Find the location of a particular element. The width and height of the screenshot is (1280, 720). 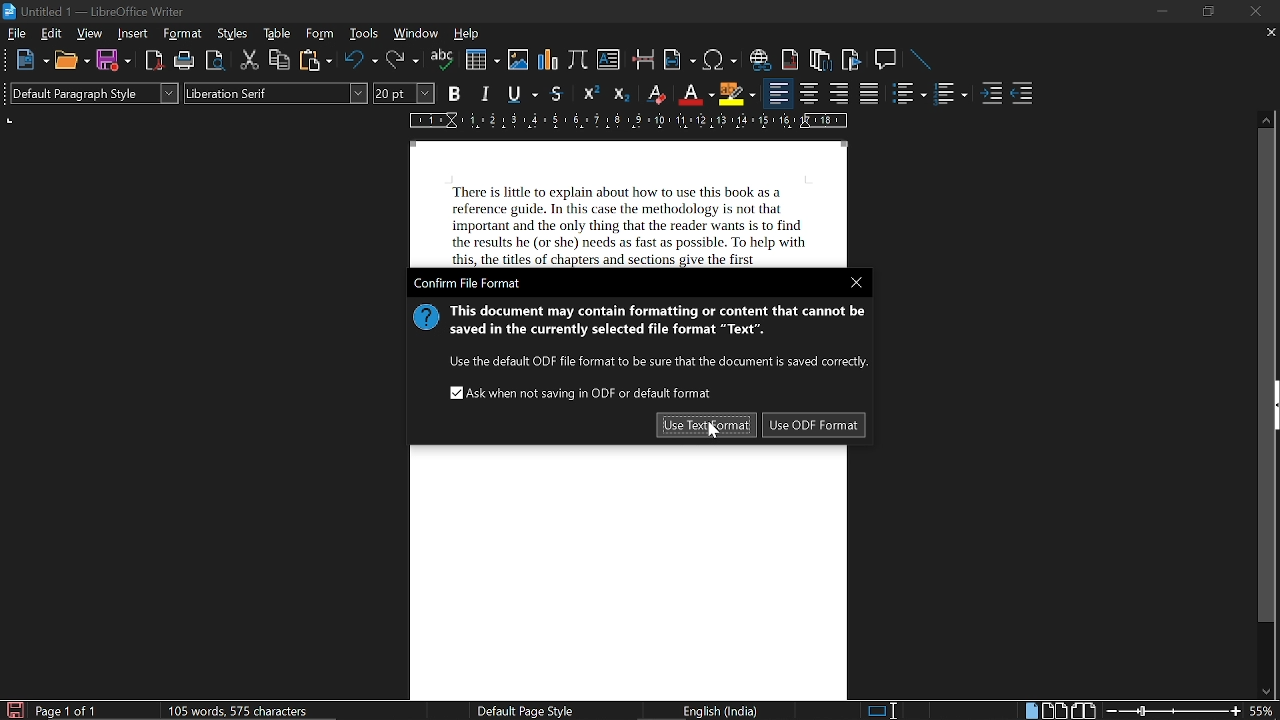

text style is located at coordinates (277, 93).